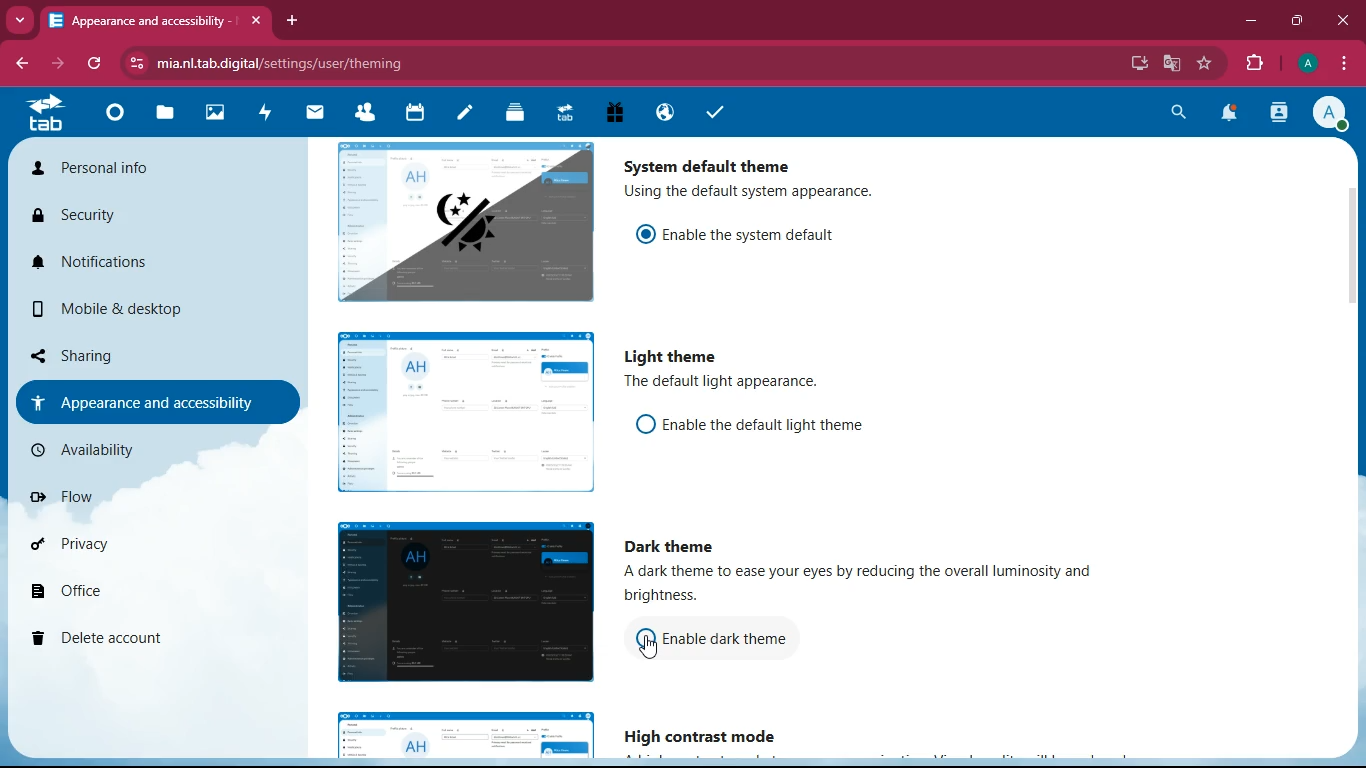 This screenshot has height=768, width=1366. What do you see at coordinates (463, 414) in the screenshot?
I see `image` at bounding box center [463, 414].